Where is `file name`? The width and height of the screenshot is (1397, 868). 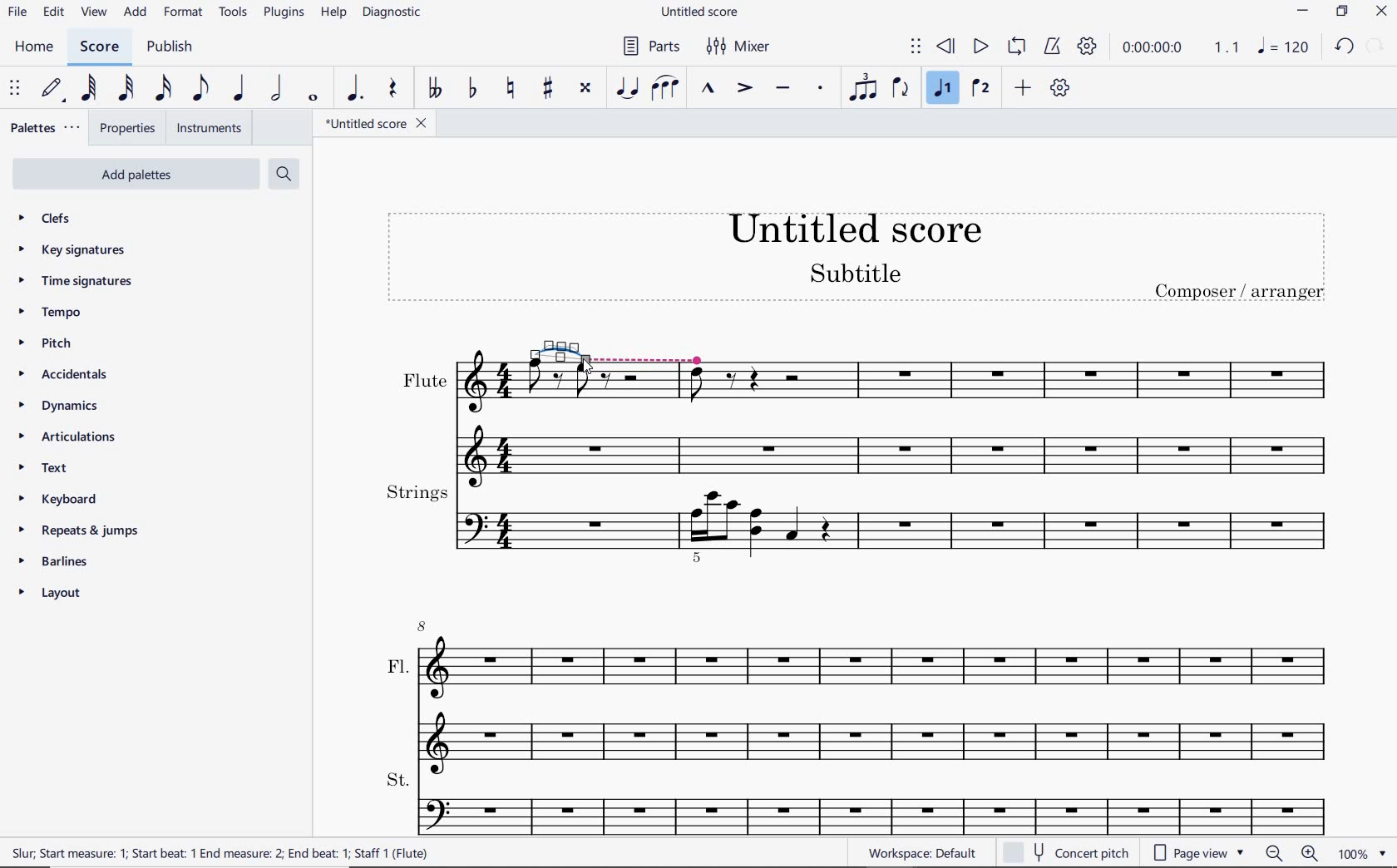 file name is located at coordinates (701, 12).